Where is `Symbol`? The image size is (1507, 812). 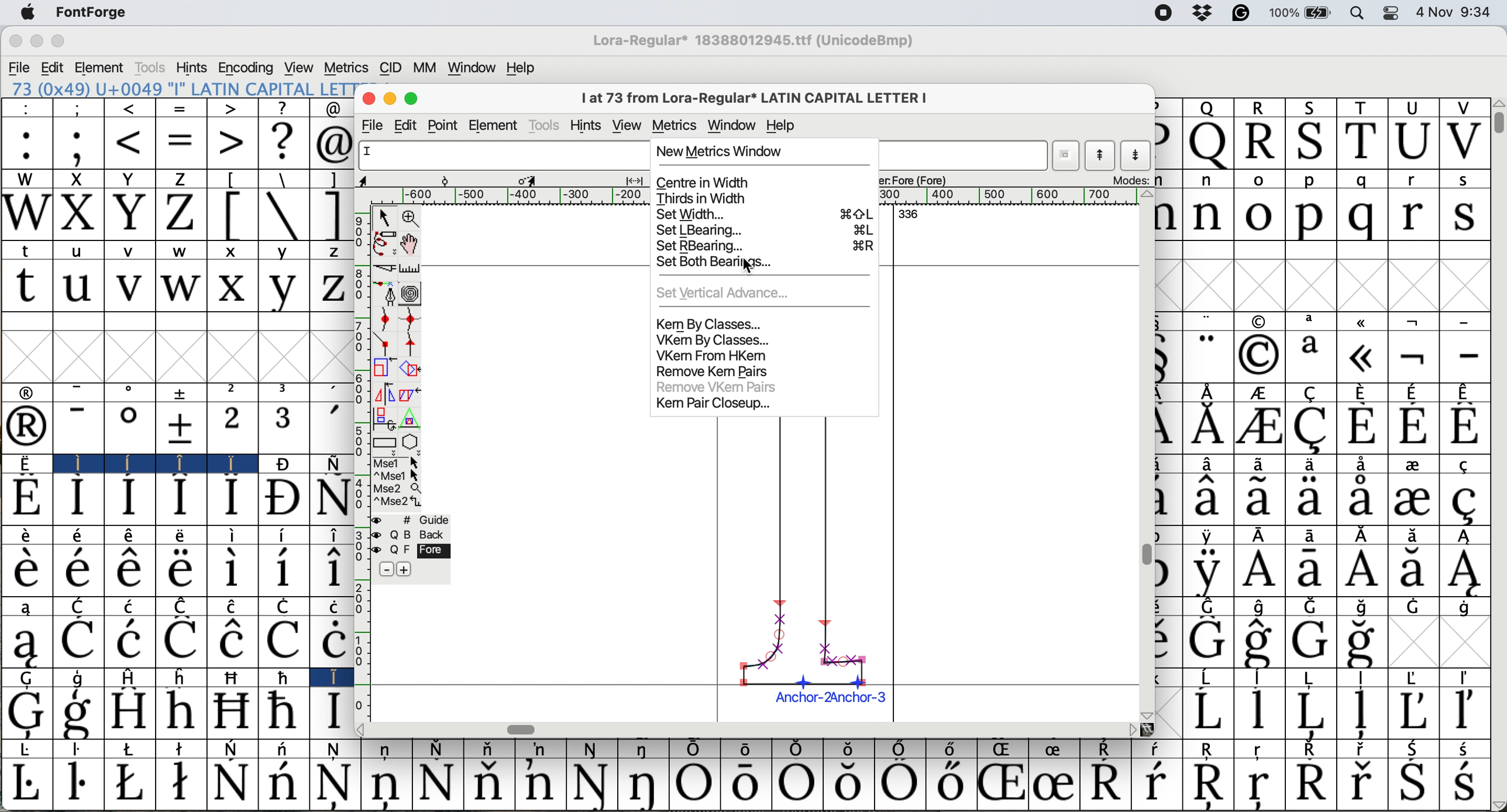
Symbol is located at coordinates (541, 749).